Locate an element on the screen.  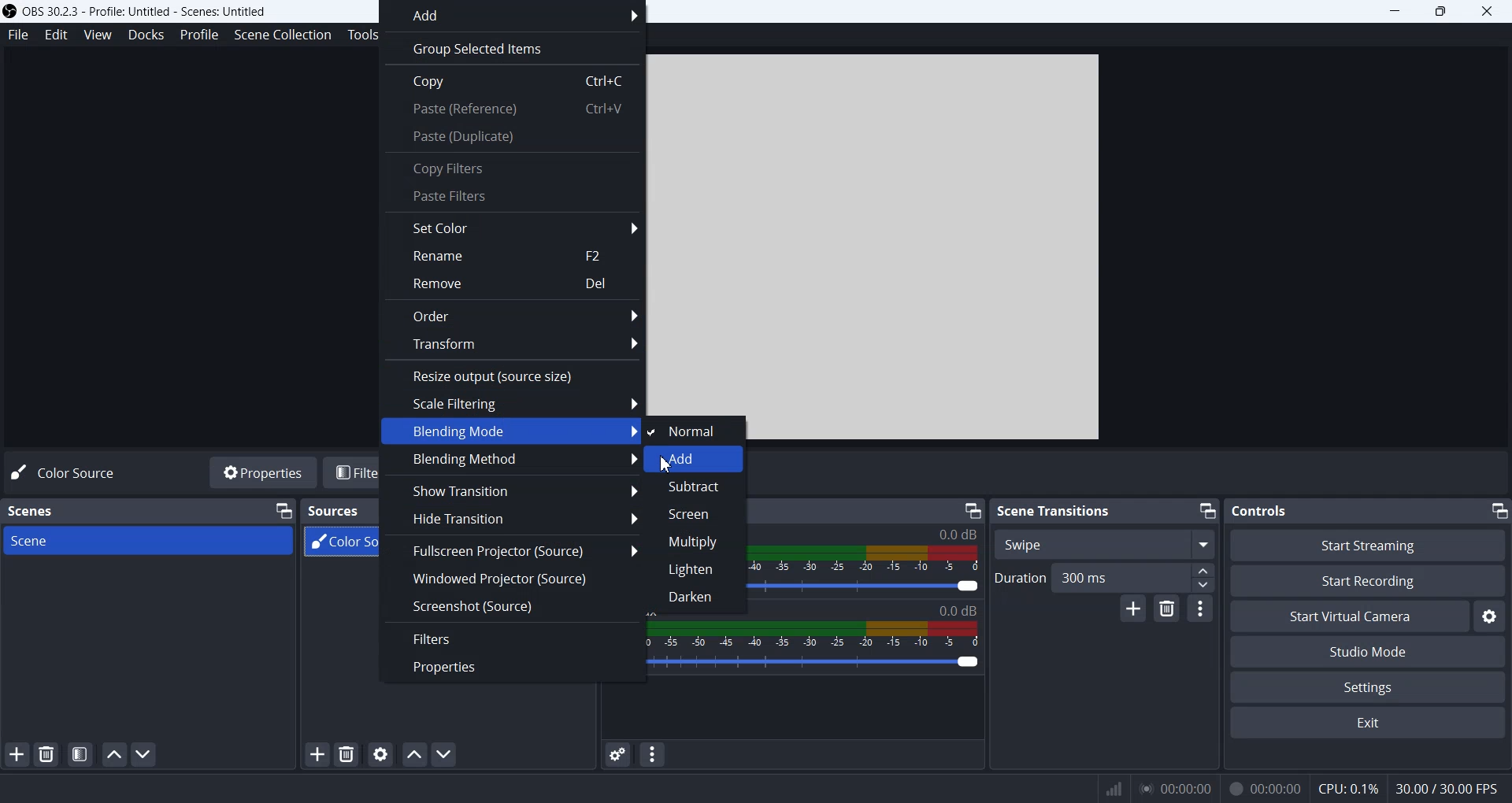
Edit is located at coordinates (56, 34).